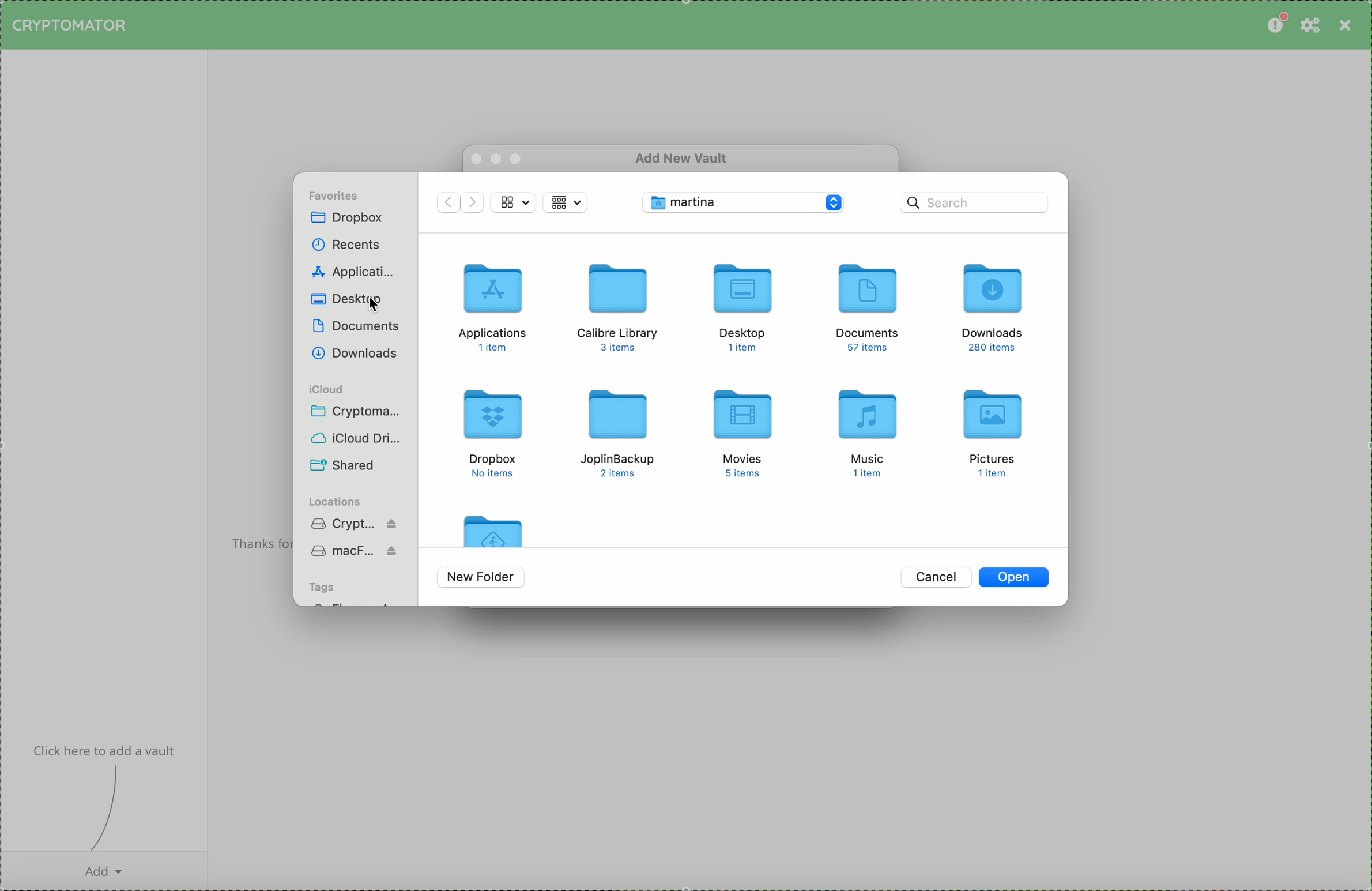 The height and width of the screenshot is (891, 1372). What do you see at coordinates (348, 244) in the screenshot?
I see `recents` at bounding box center [348, 244].